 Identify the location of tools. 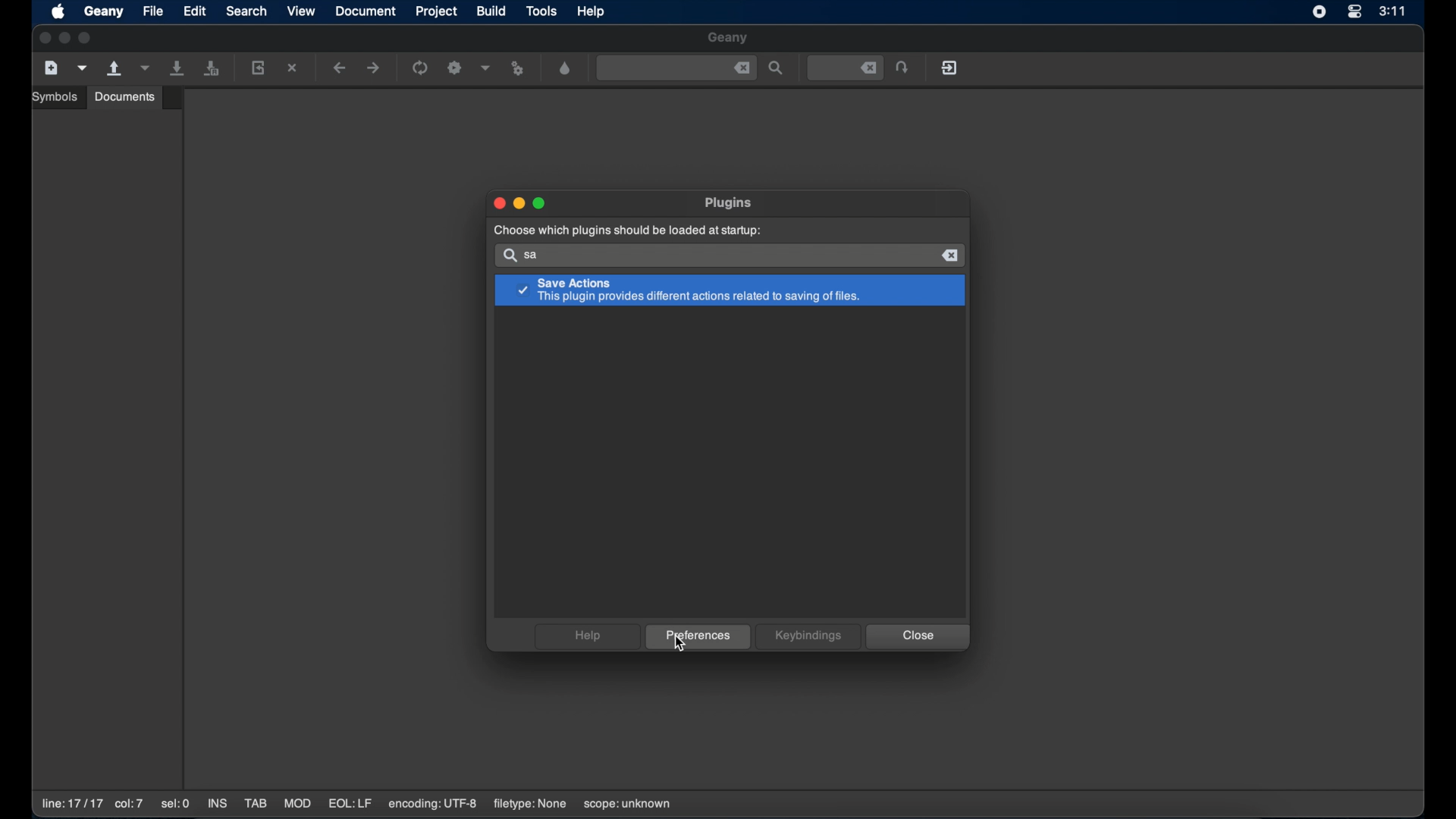
(542, 12).